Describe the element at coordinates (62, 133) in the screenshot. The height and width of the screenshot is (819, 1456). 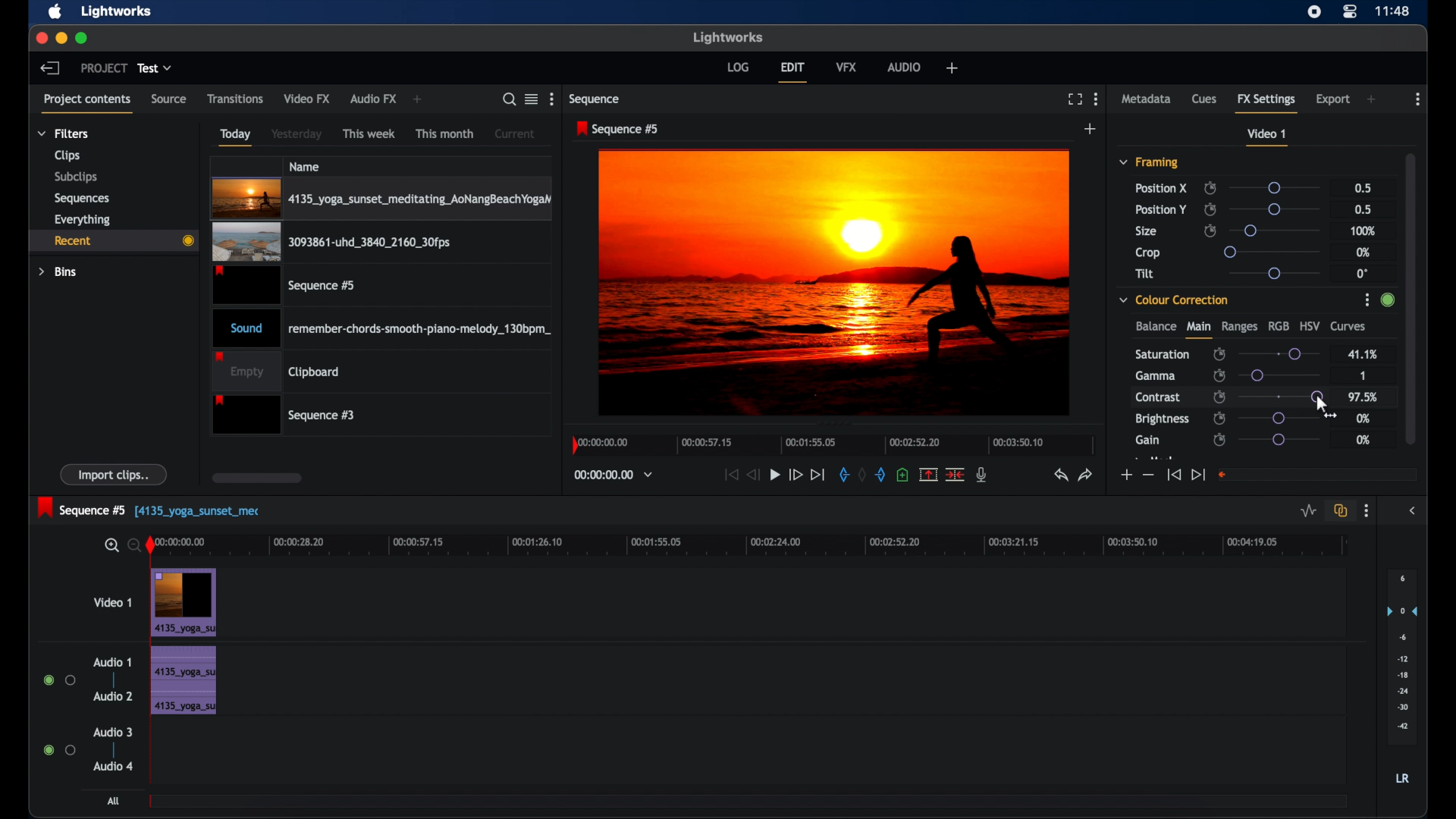
I see `filters` at that location.